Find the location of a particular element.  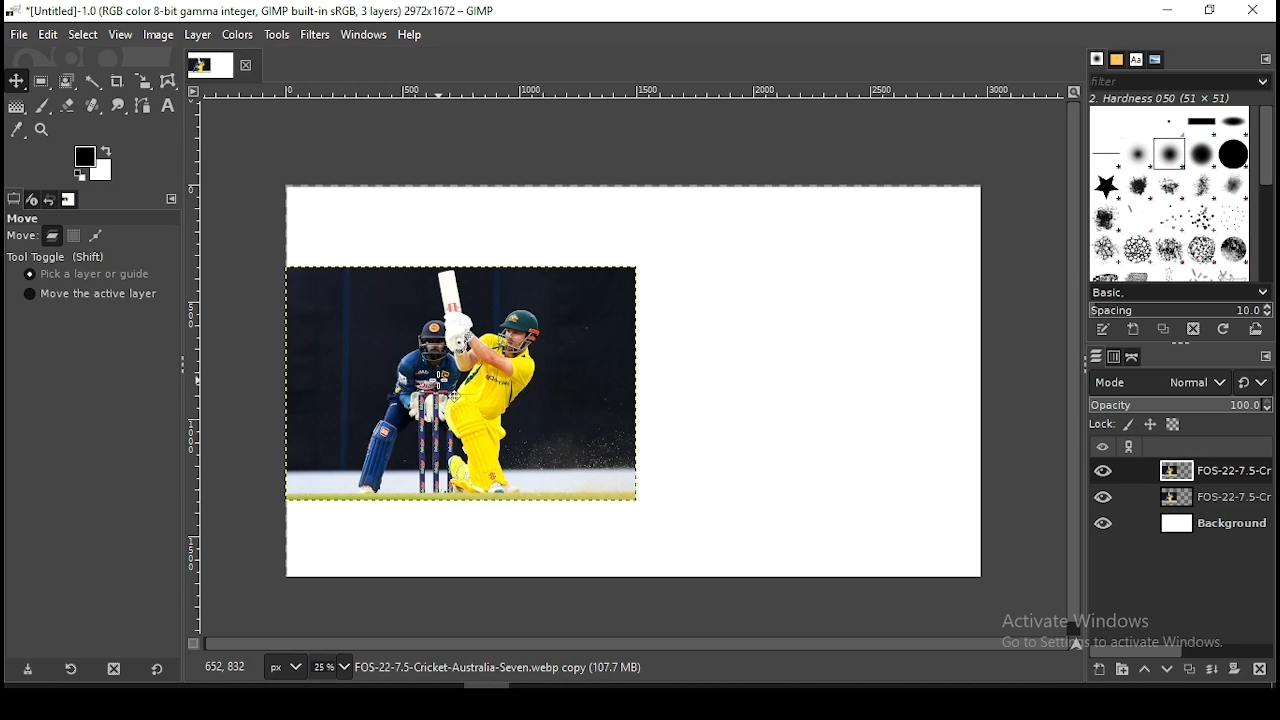

new layer group is located at coordinates (1122, 671).